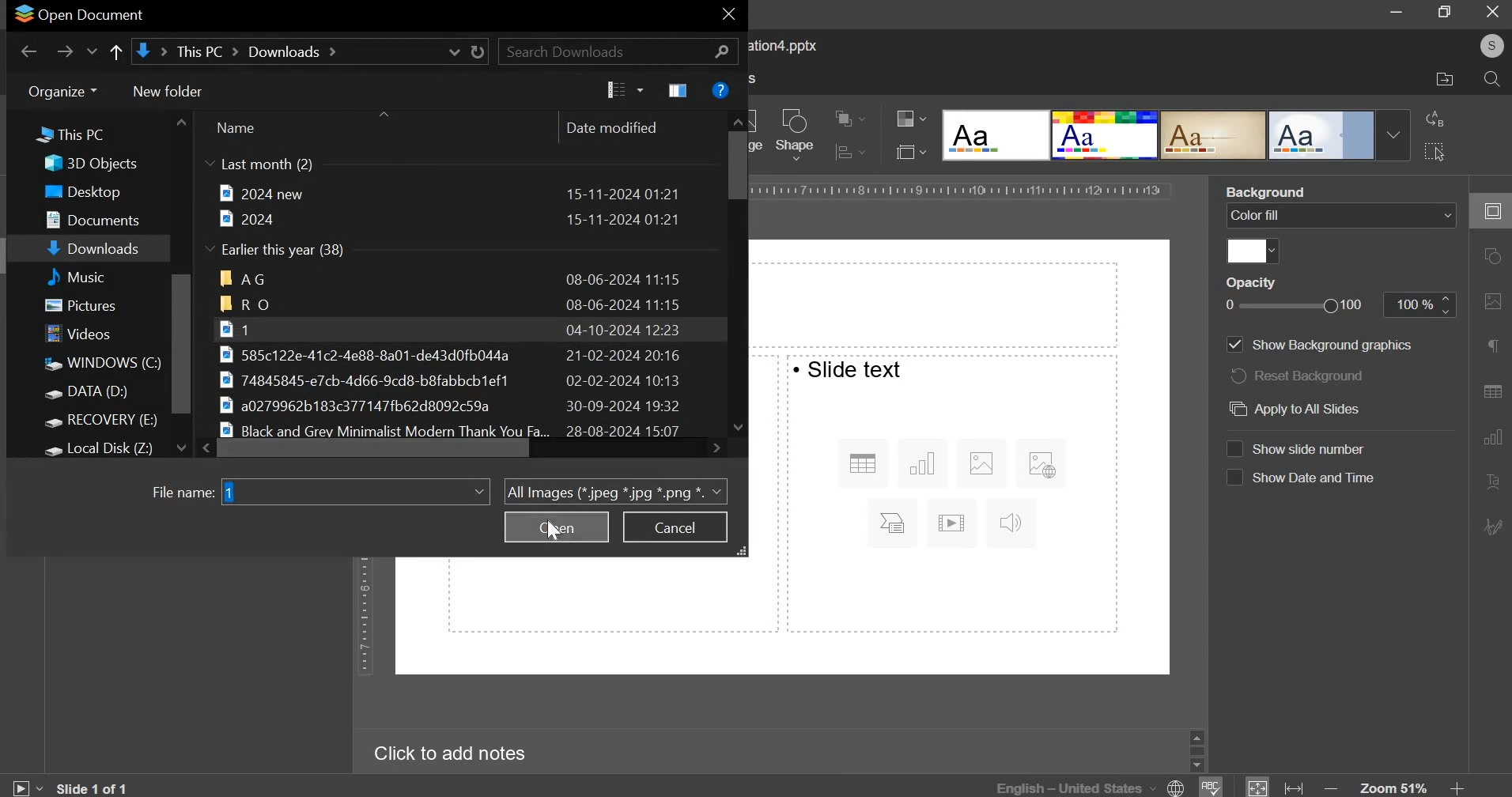 The width and height of the screenshot is (1512, 797). Describe the element at coordinates (736, 278) in the screenshot. I see `vertical slider` at that location.